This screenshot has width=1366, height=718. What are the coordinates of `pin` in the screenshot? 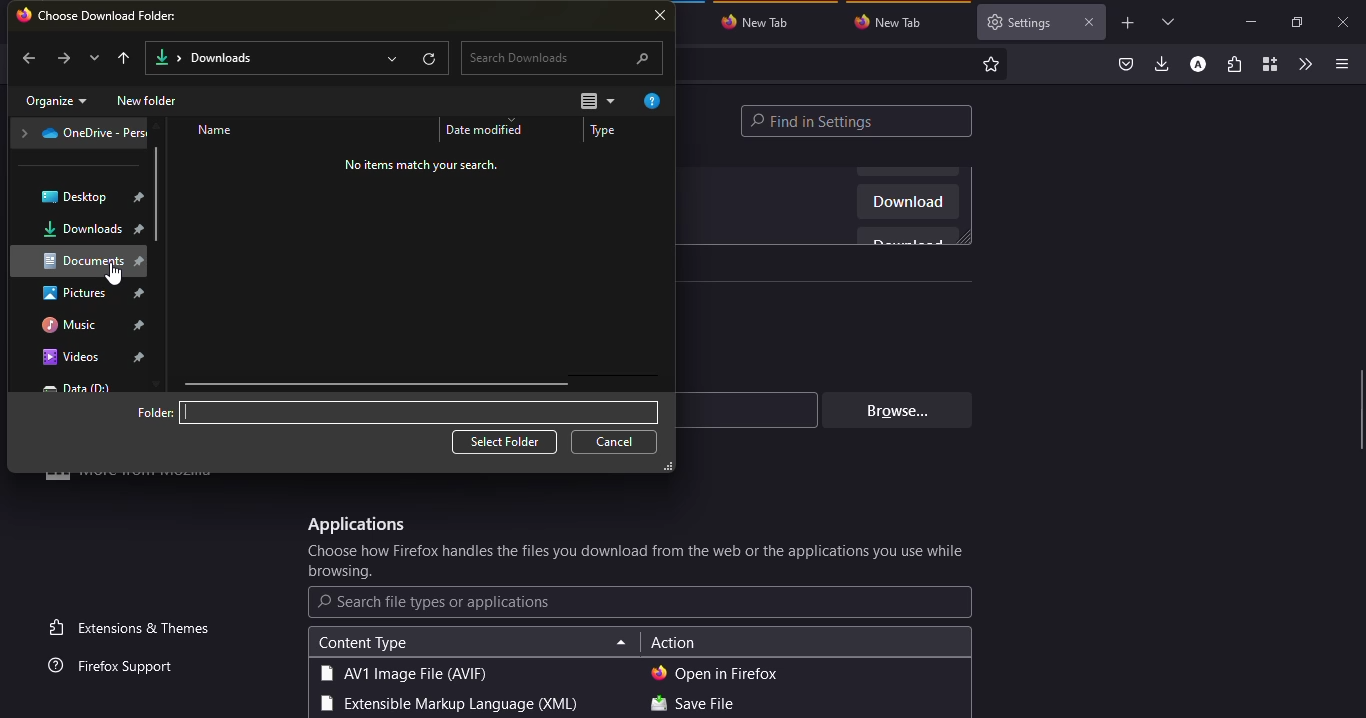 It's located at (142, 293).